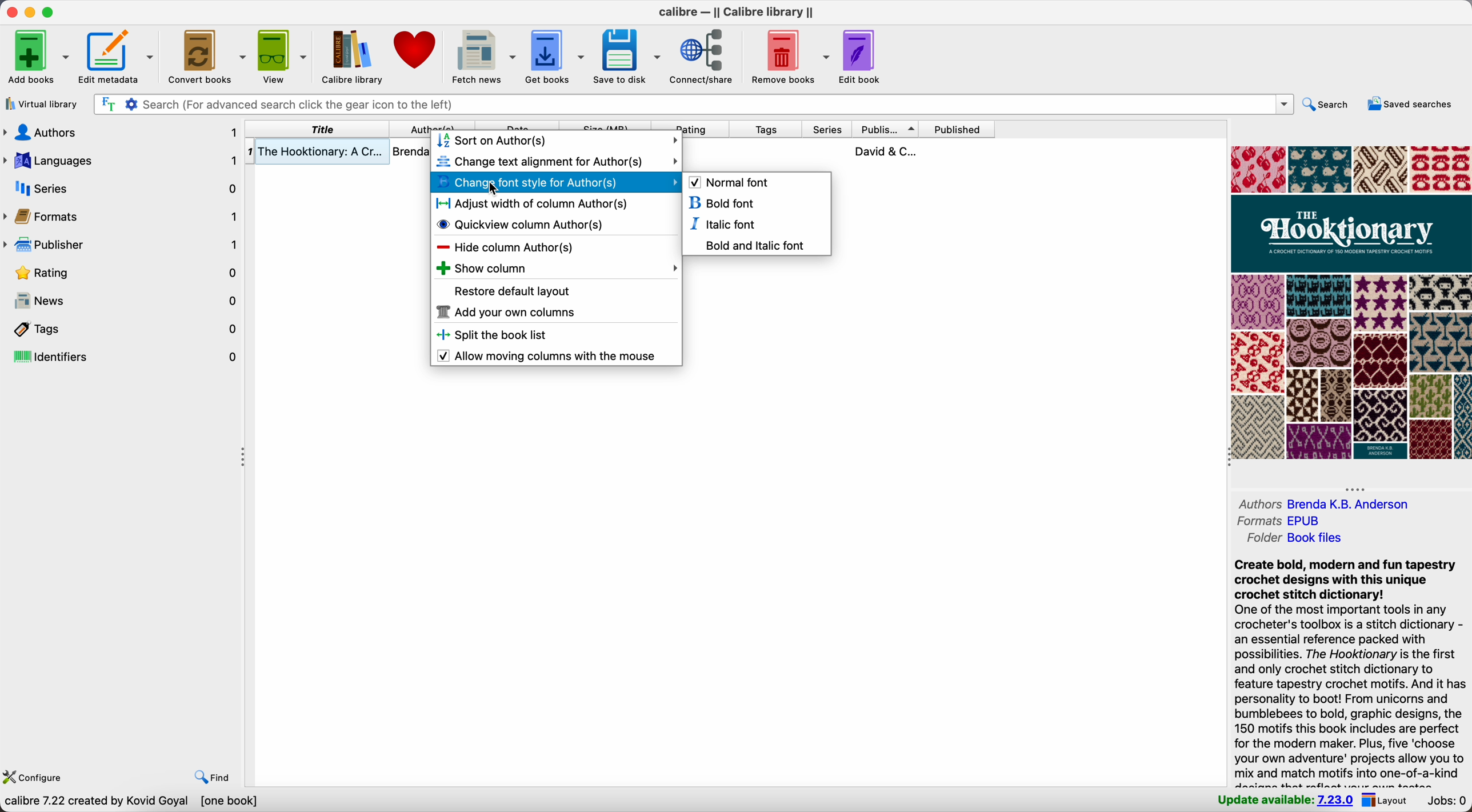  What do you see at coordinates (339, 153) in the screenshot?
I see `The Hooktionary book details` at bounding box center [339, 153].